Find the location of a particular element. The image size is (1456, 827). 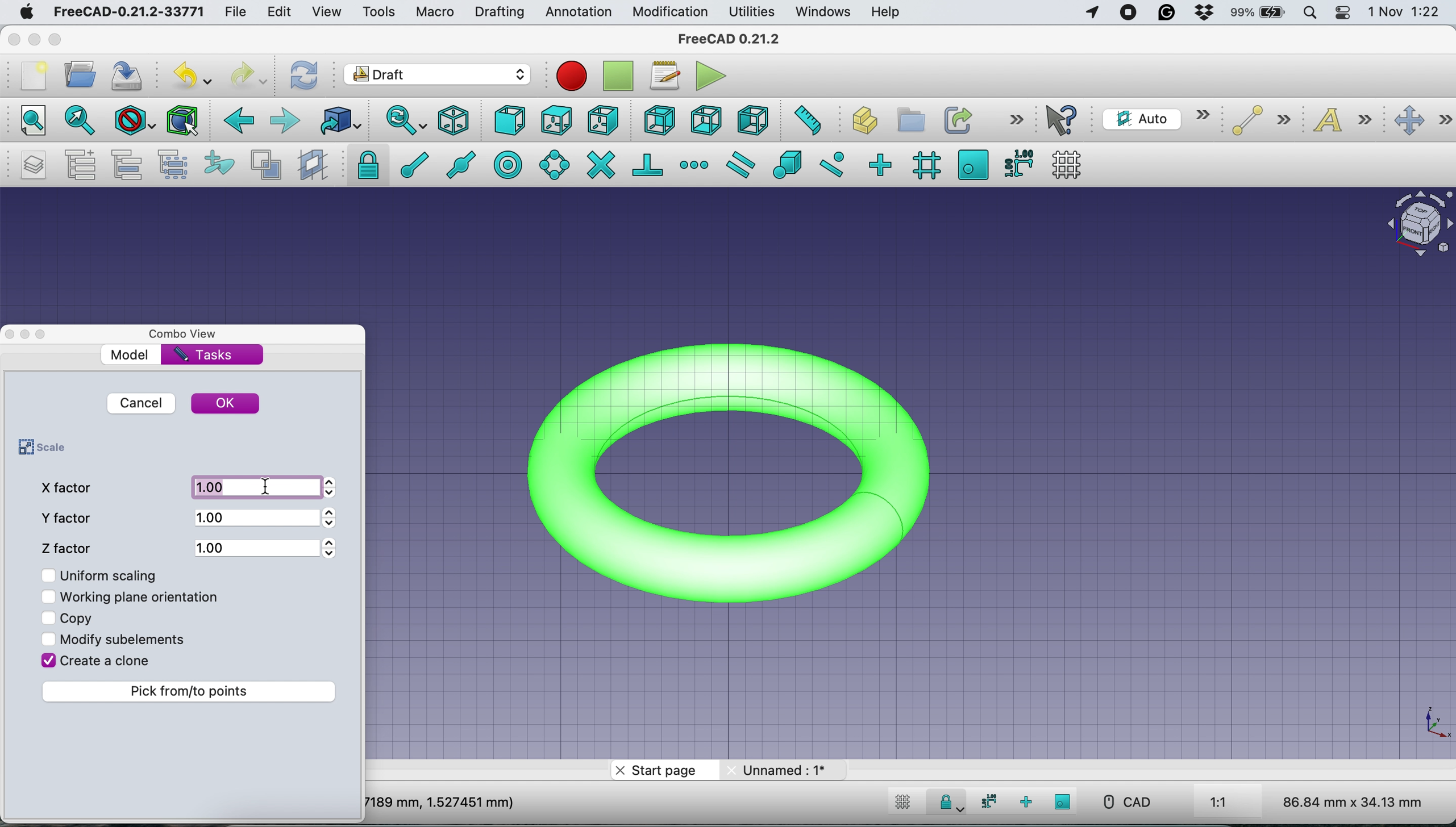

scale is located at coordinates (39, 448).